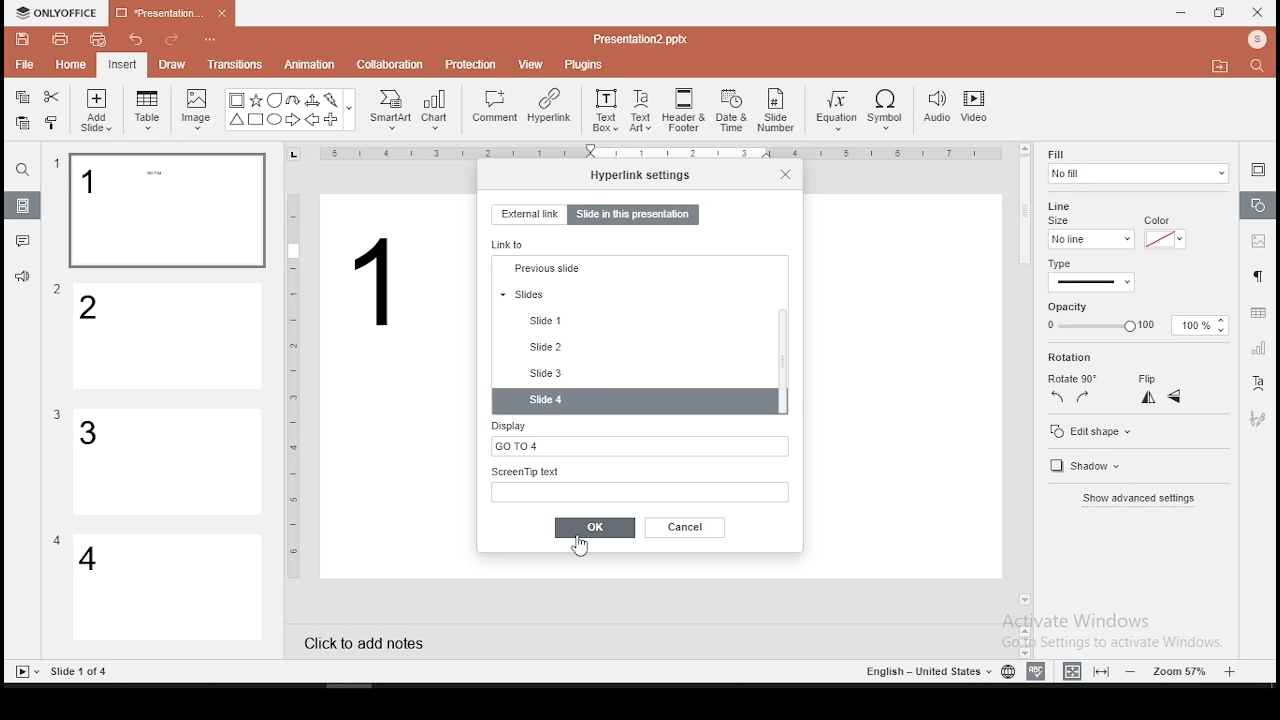  What do you see at coordinates (96, 110) in the screenshot?
I see `add slide` at bounding box center [96, 110].